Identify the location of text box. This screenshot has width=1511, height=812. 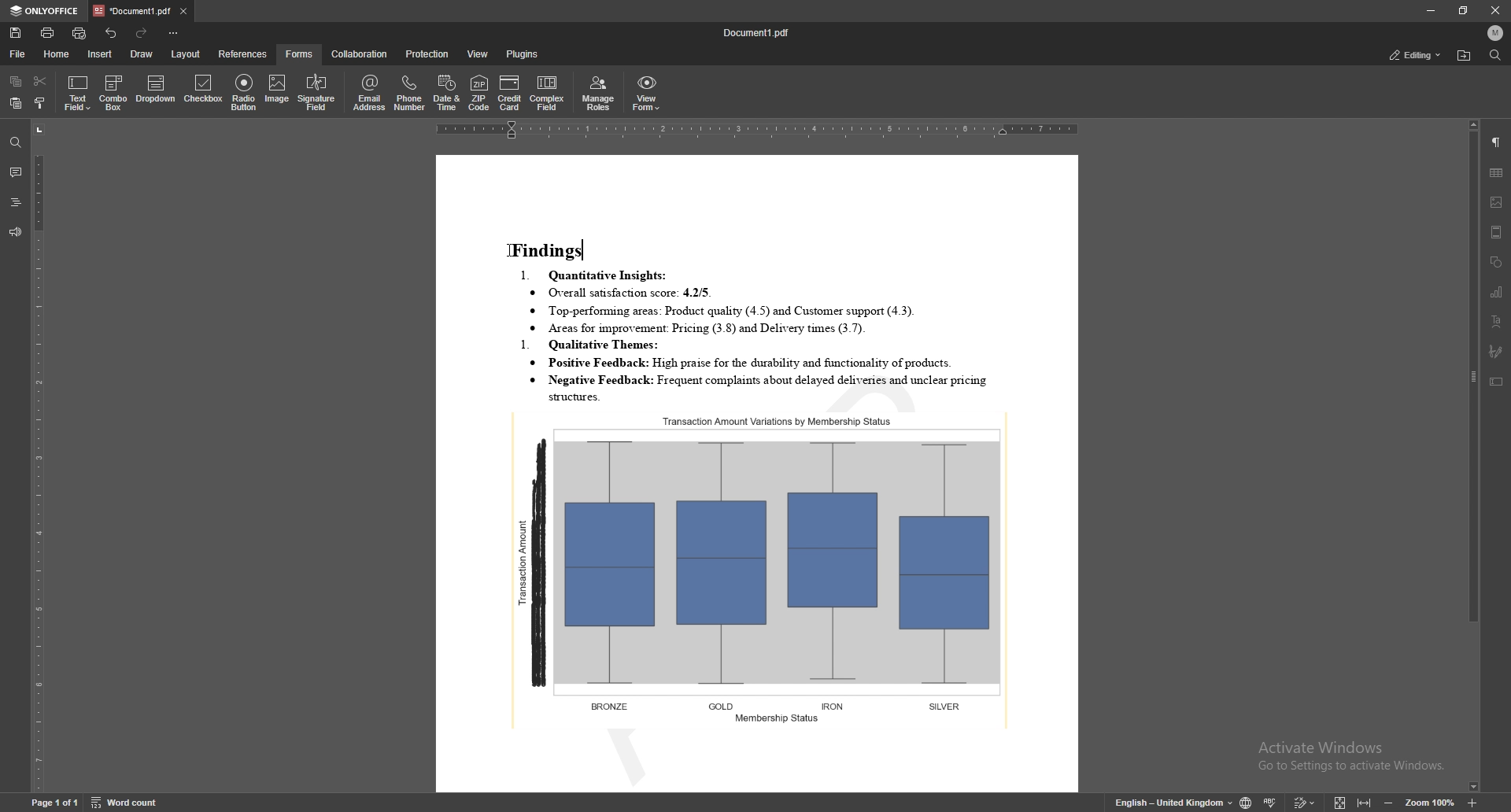
(1496, 382).